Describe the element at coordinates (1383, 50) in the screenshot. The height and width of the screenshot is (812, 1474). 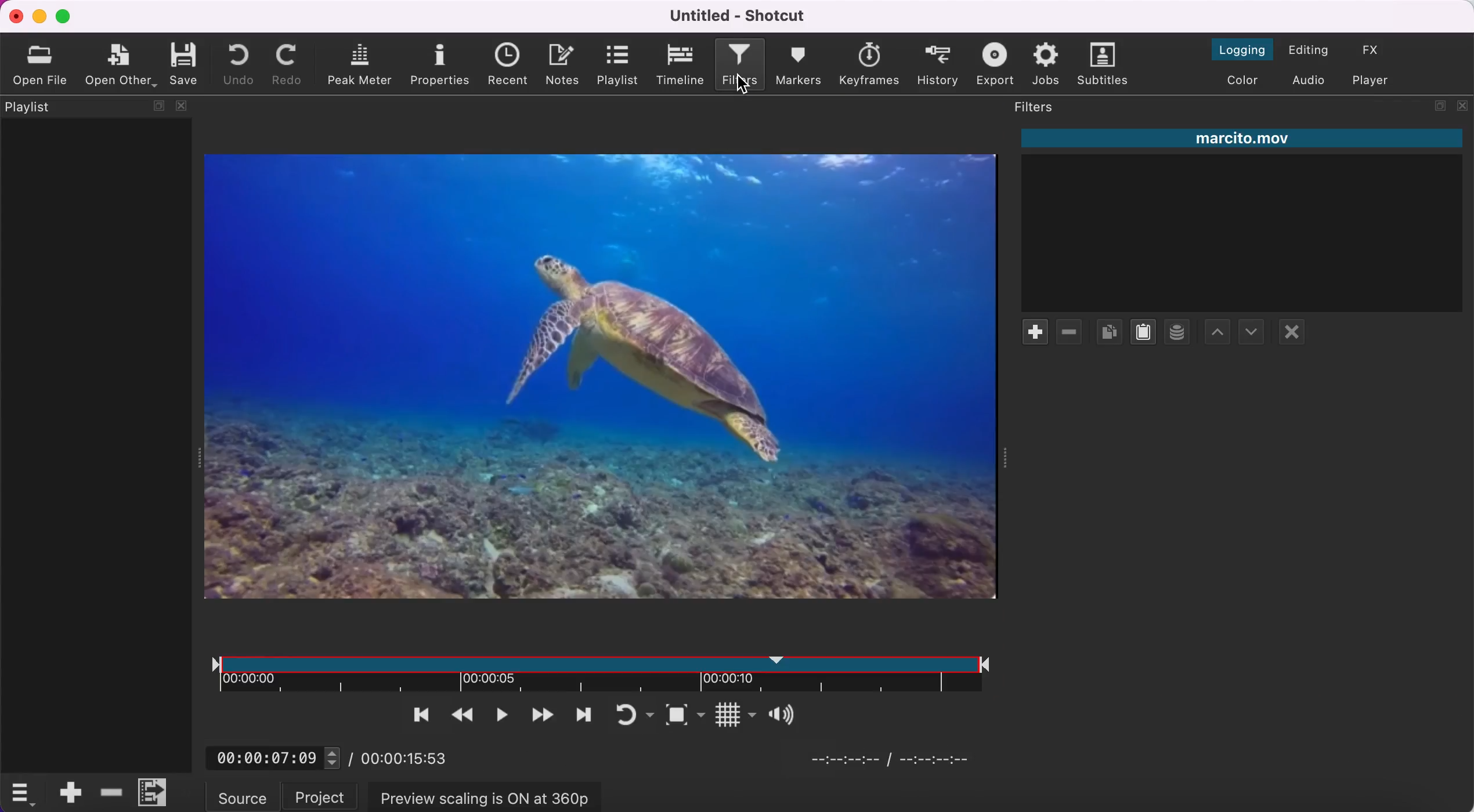
I see `switch to the effect layout` at that location.